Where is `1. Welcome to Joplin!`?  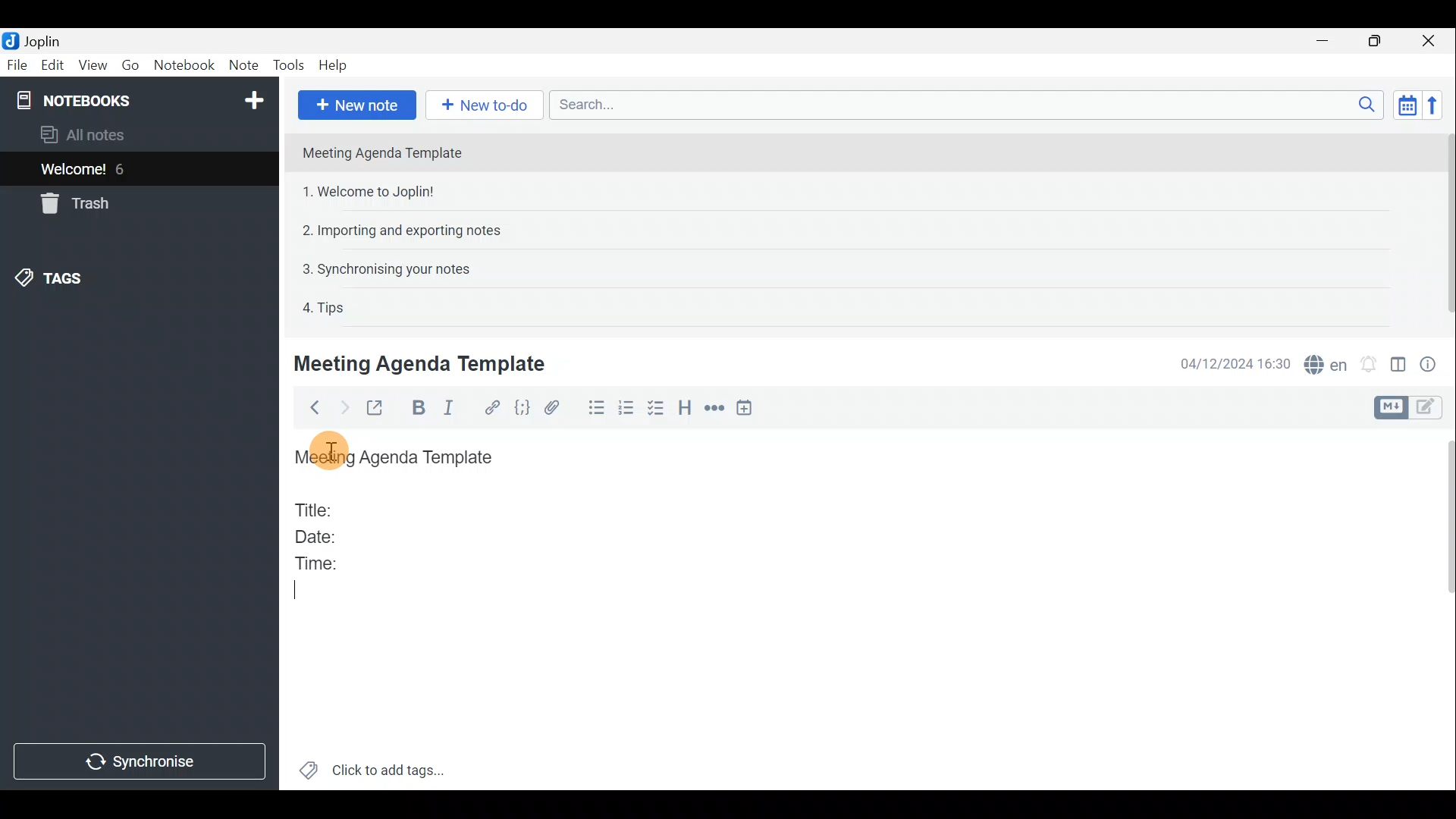
1. Welcome to Joplin! is located at coordinates (373, 191).